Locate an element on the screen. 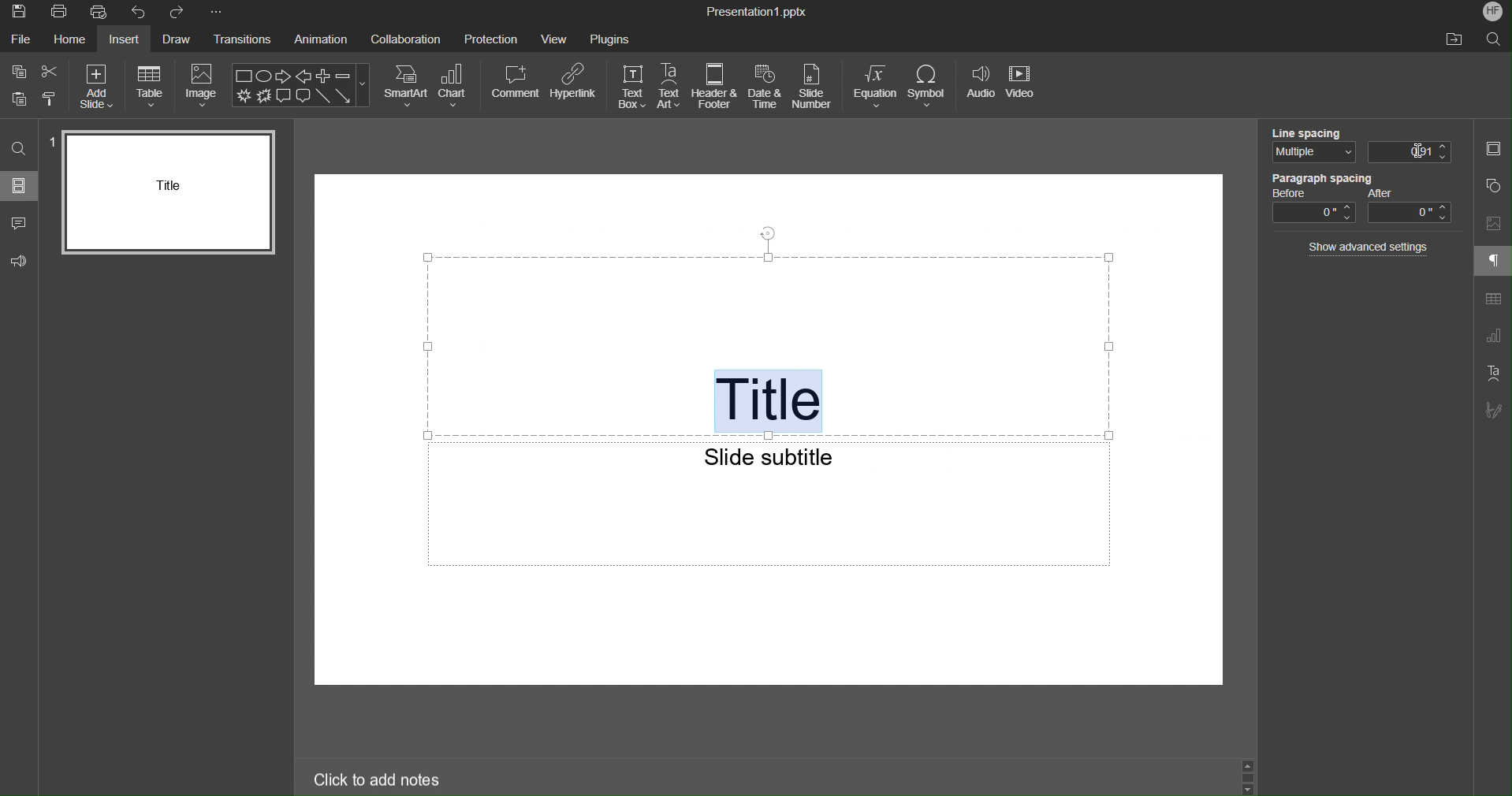 The width and height of the screenshot is (1512, 796). 0.01 is located at coordinates (1411, 151).